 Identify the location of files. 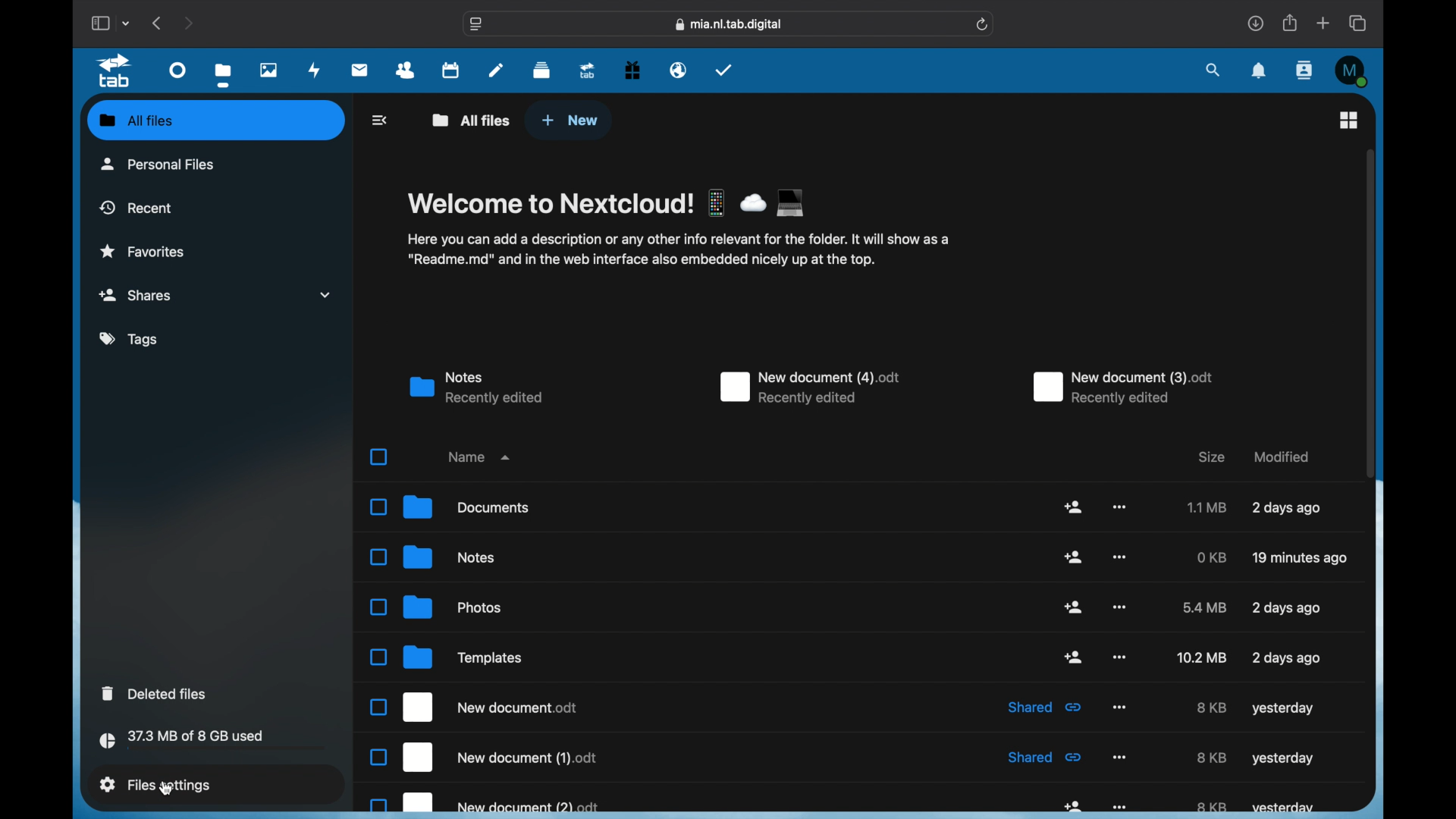
(224, 75).